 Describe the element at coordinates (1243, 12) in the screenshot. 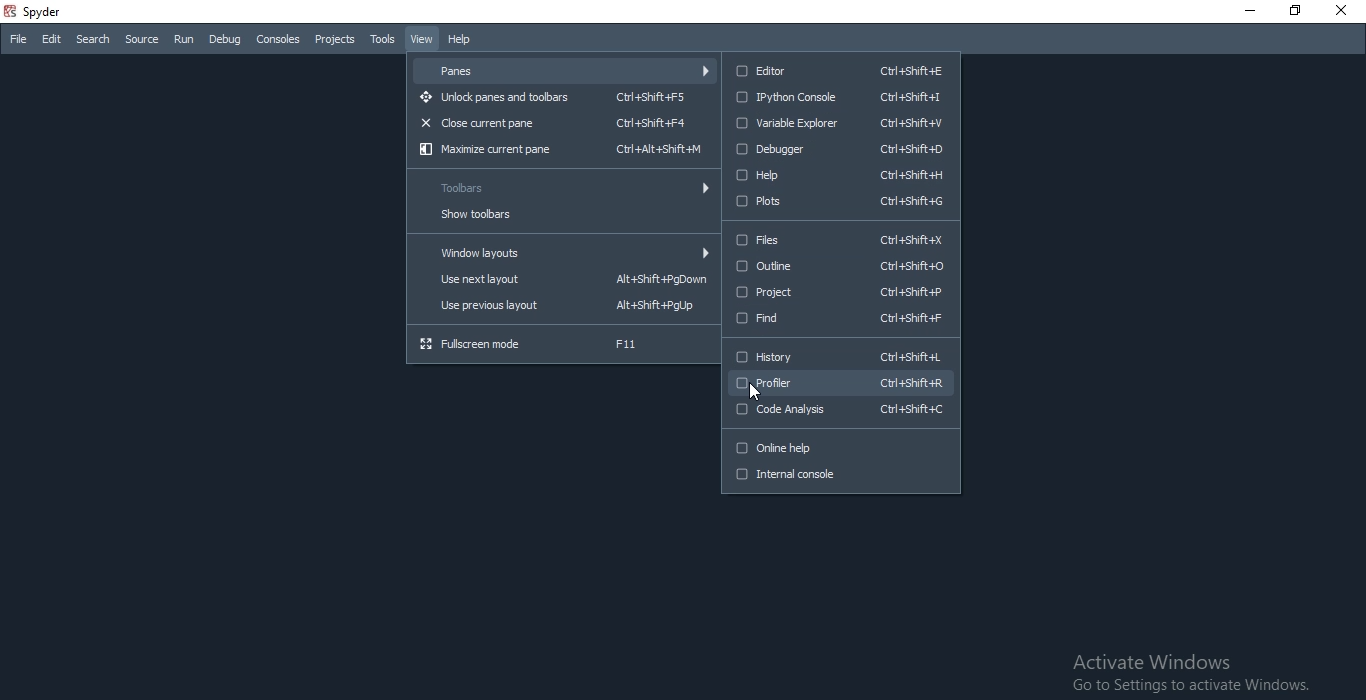

I see `Minimise` at that location.